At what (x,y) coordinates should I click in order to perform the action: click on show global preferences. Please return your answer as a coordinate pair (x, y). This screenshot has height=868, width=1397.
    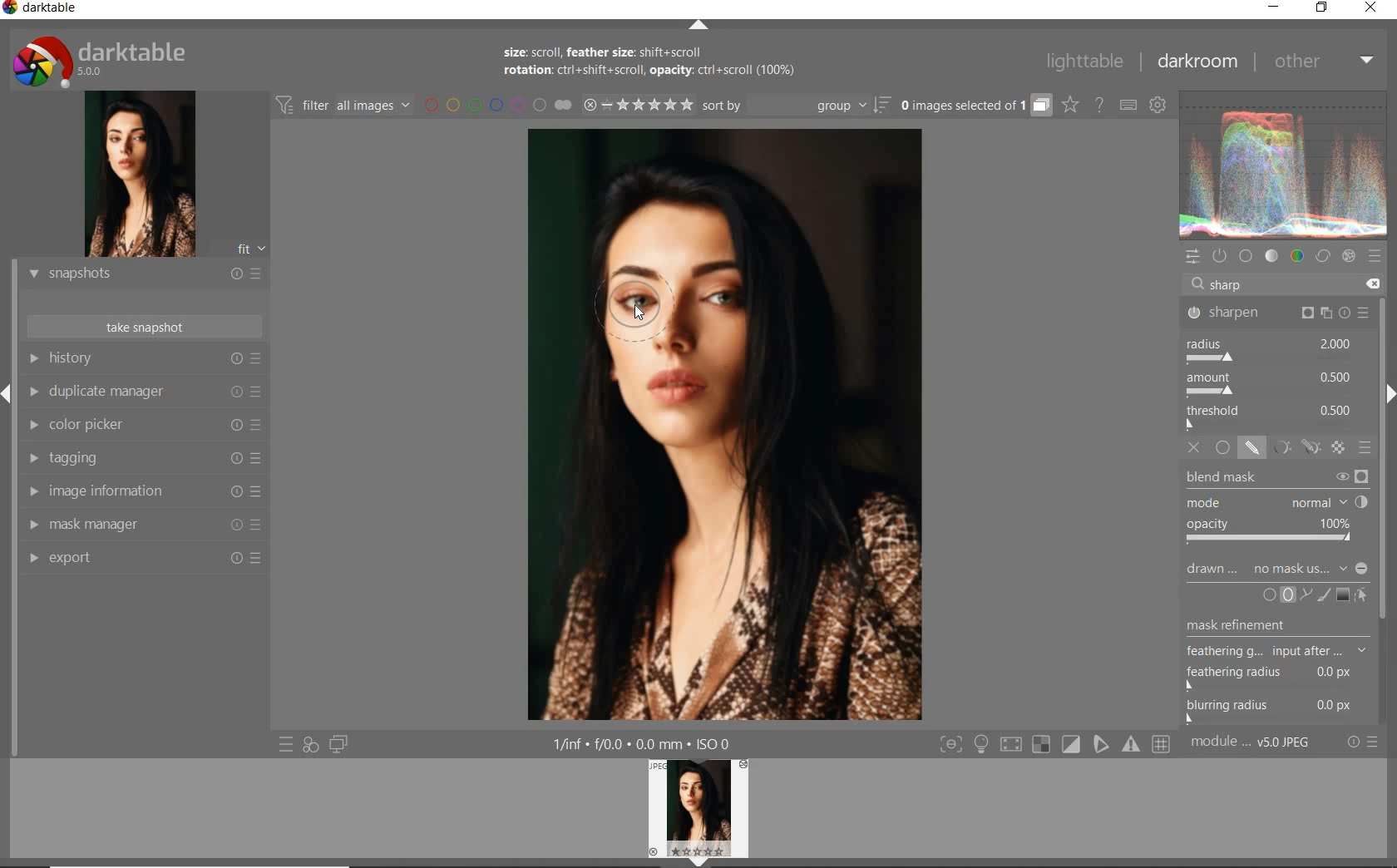
    Looking at the image, I should click on (1157, 101).